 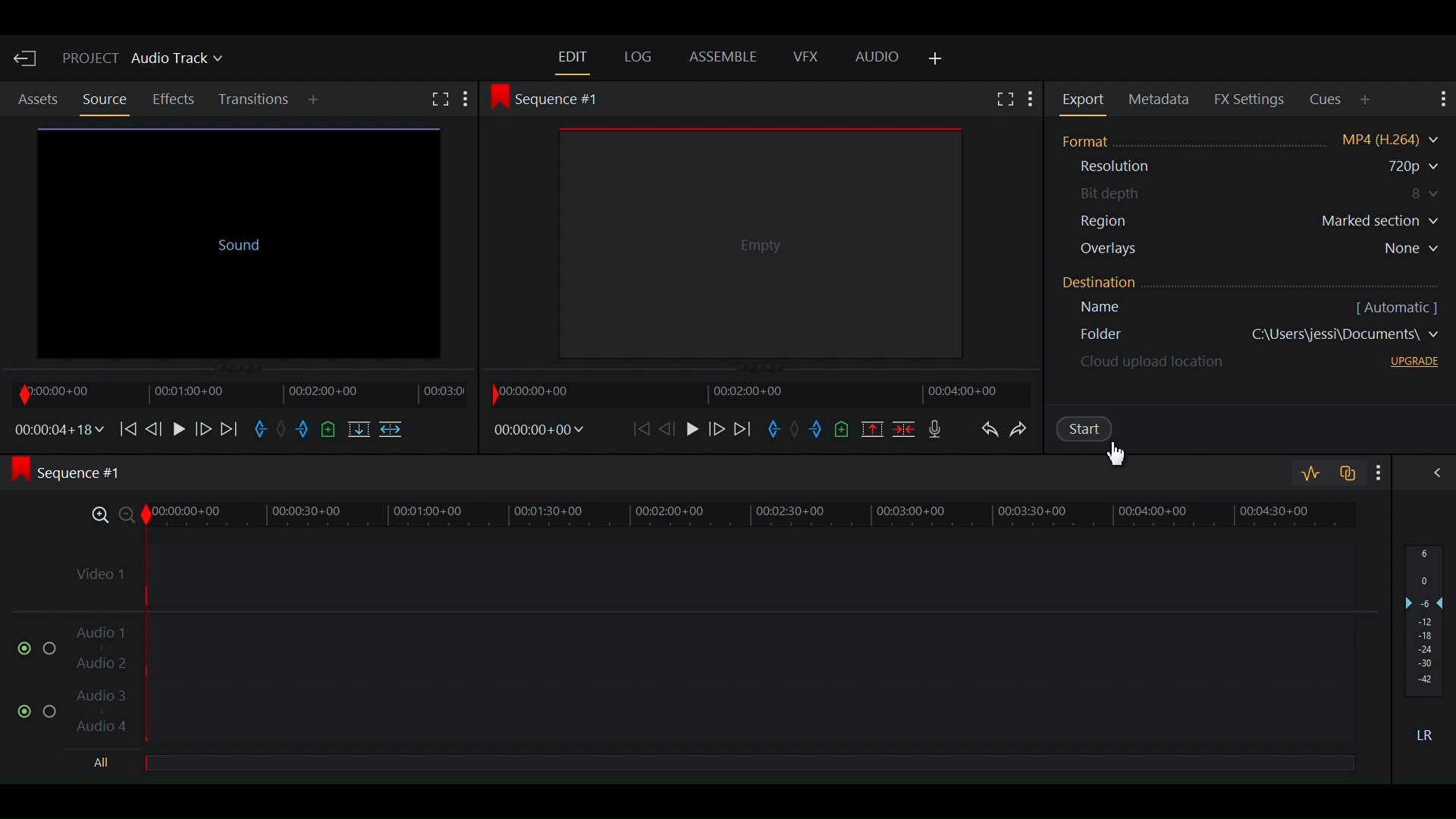 What do you see at coordinates (1430, 735) in the screenshot?
I see `LR` at bounding box center [1430, 735].